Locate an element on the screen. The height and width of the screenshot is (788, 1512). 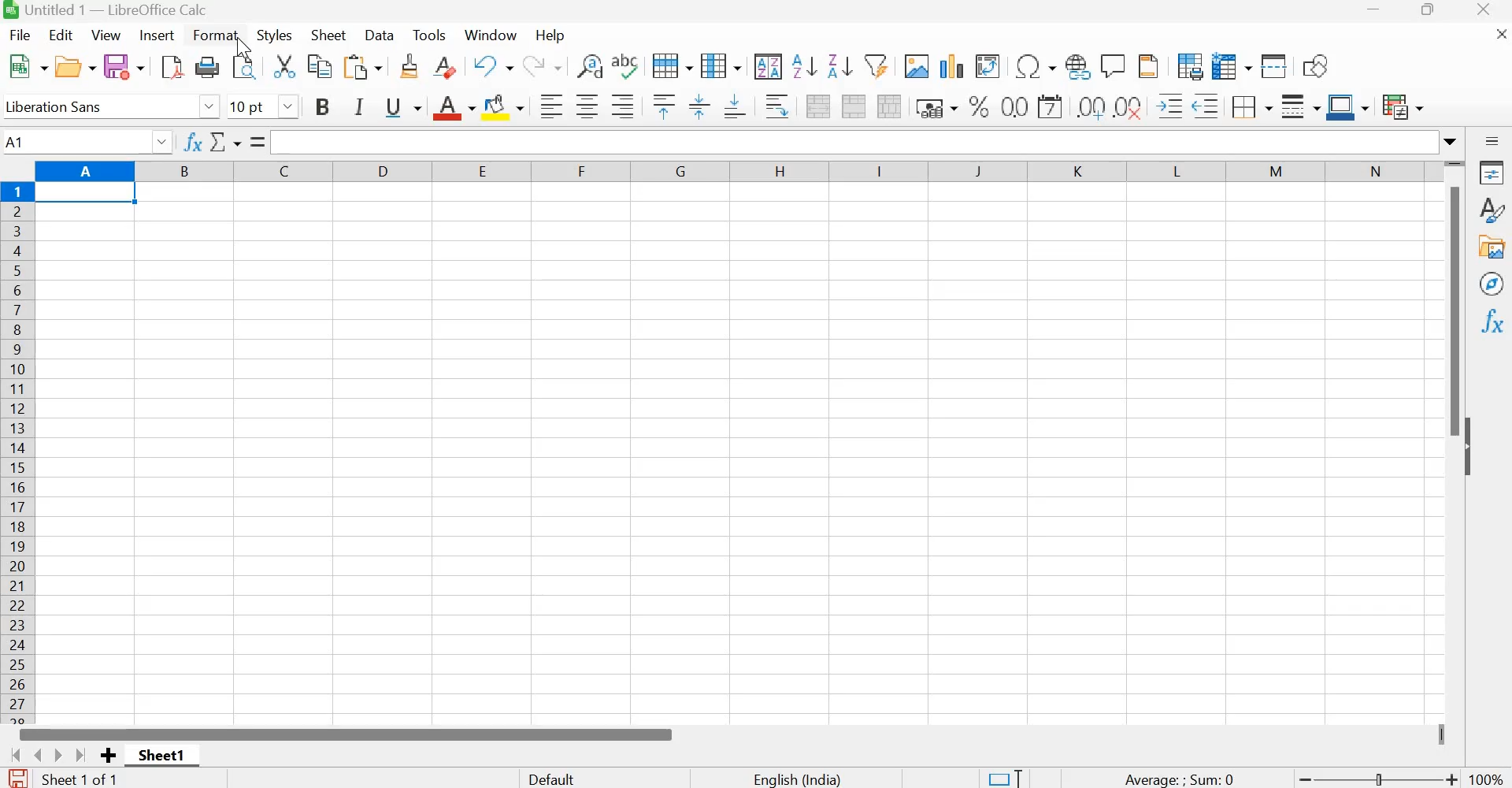
Find and replace is located at coordinates (588, 66).